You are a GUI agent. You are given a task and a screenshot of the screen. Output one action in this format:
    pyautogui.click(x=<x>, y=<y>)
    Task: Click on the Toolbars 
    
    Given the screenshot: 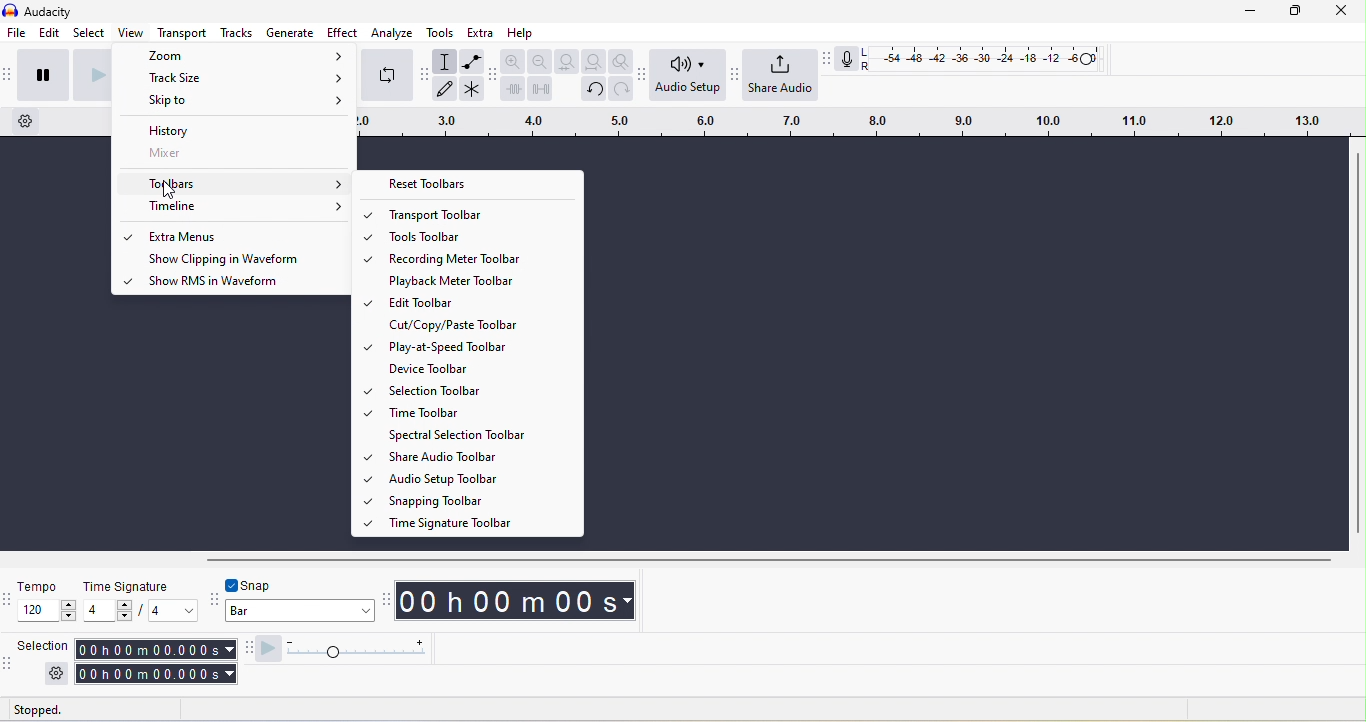 What is the action you would take?
    pyautogui.click(x=234, y=183)
    